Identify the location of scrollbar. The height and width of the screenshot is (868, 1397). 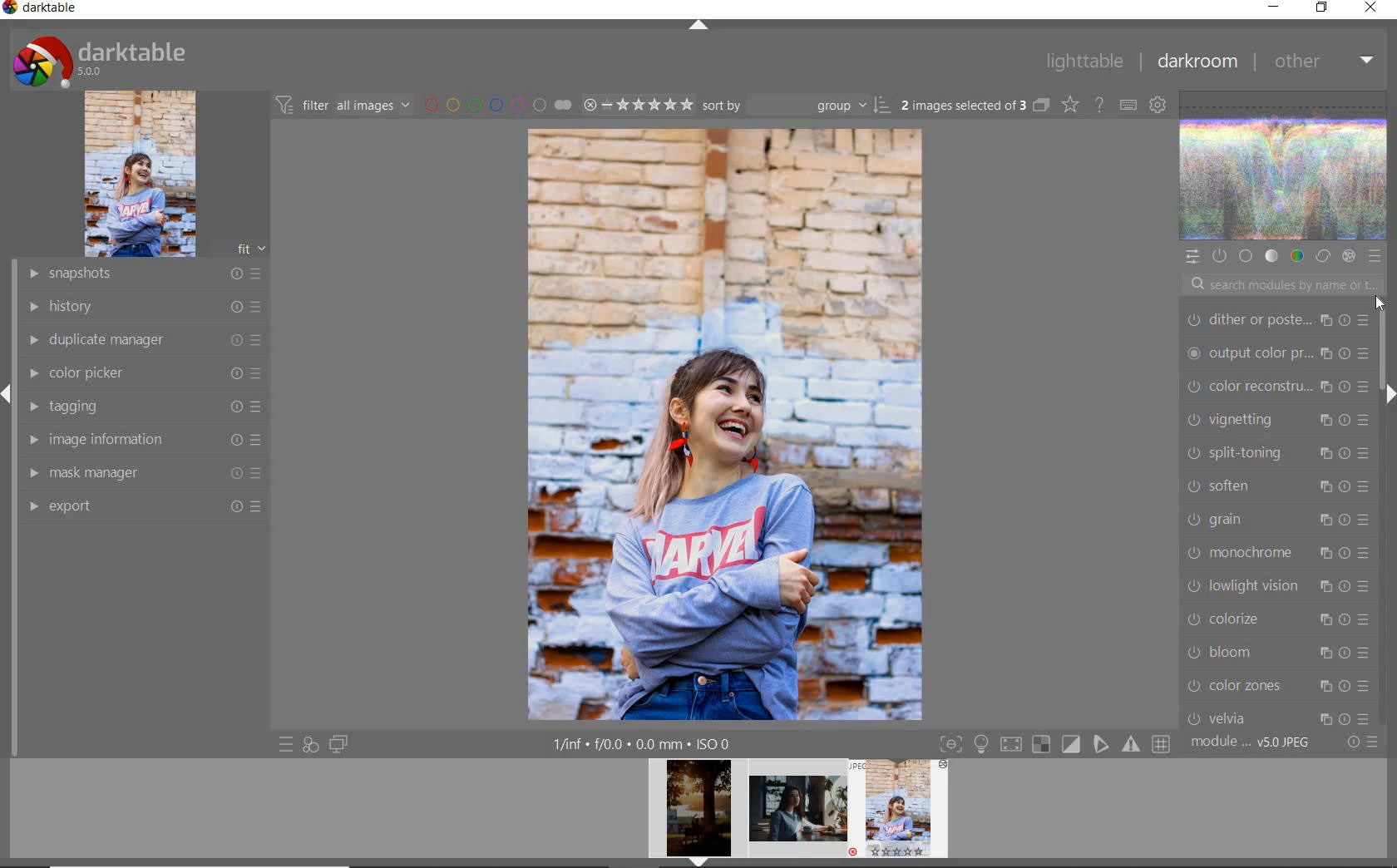
(1389, 369).